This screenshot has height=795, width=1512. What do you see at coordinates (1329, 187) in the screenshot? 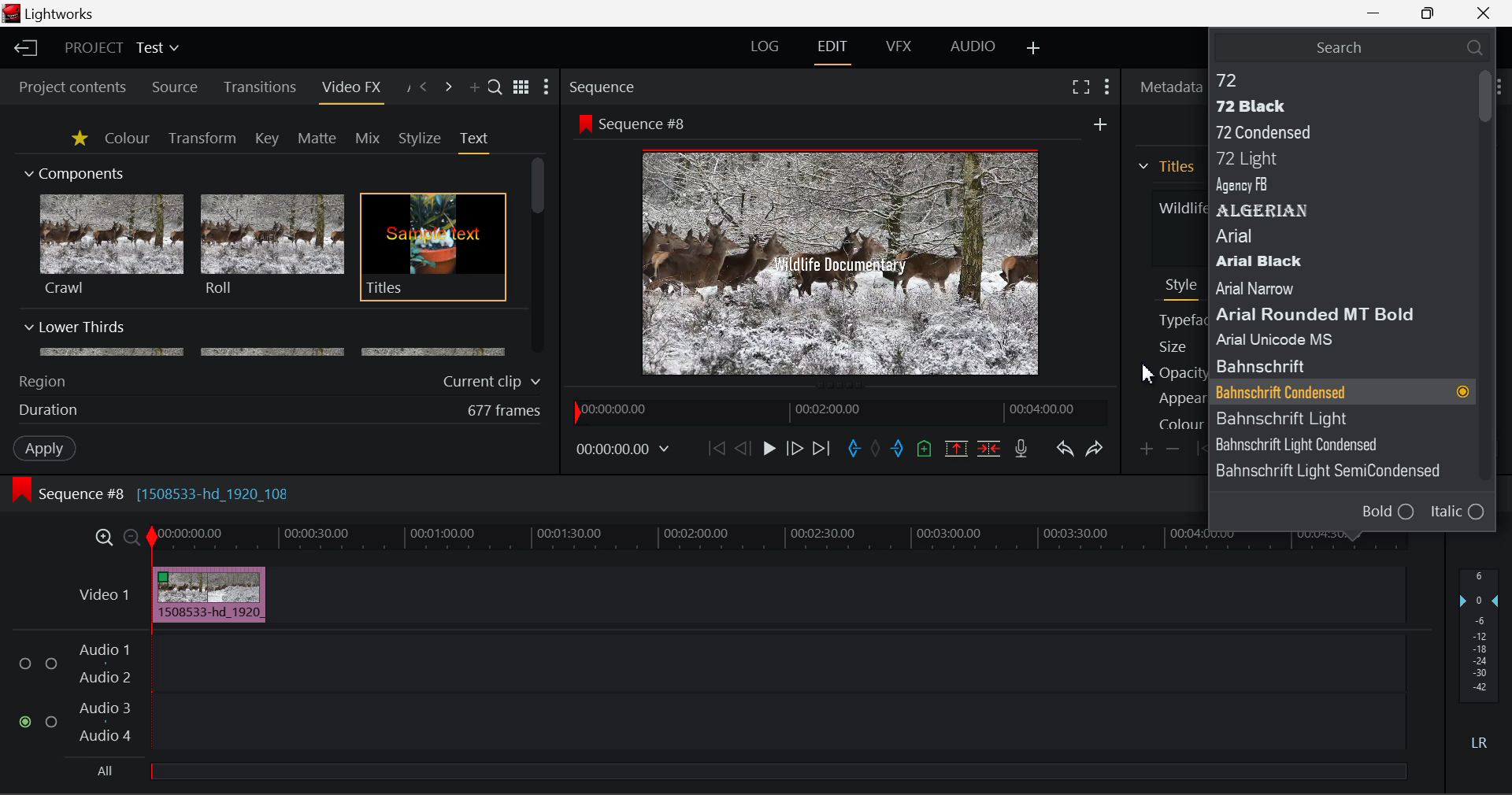
I see `Agency FB` at bounding box center [1329, 187].